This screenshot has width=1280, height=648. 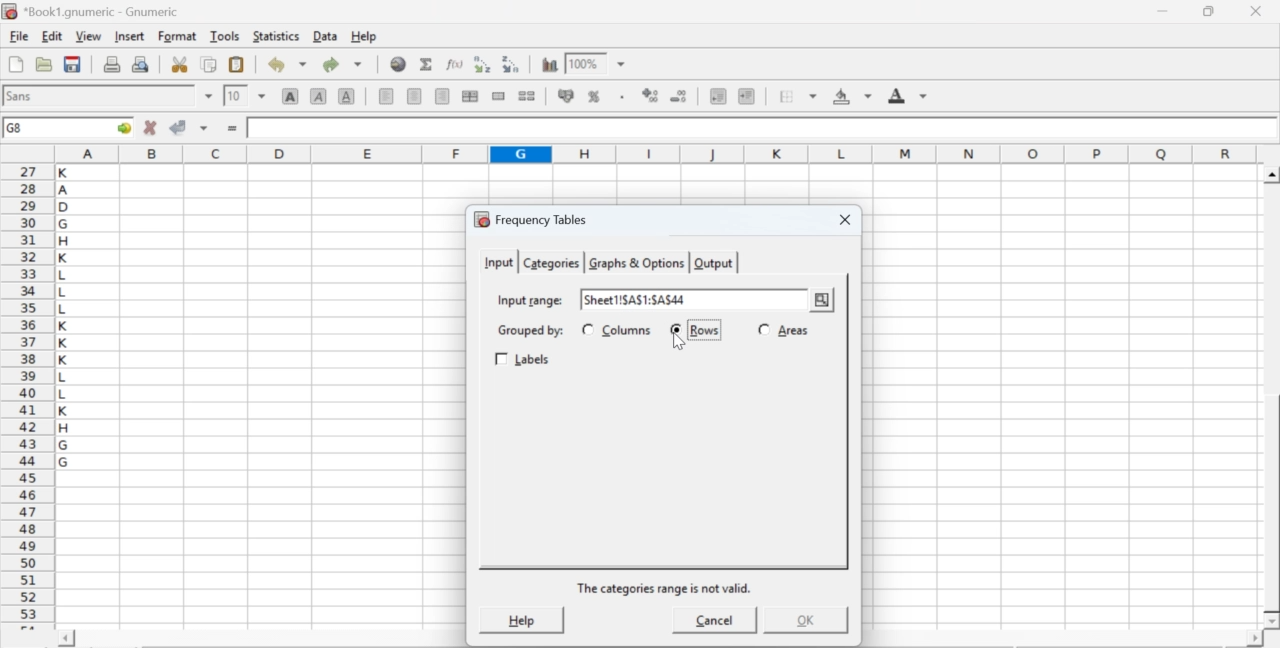 What do you see at coordinates (908, 95) in the screenshot?
I see `foreground` at bounding box center [908, 95].